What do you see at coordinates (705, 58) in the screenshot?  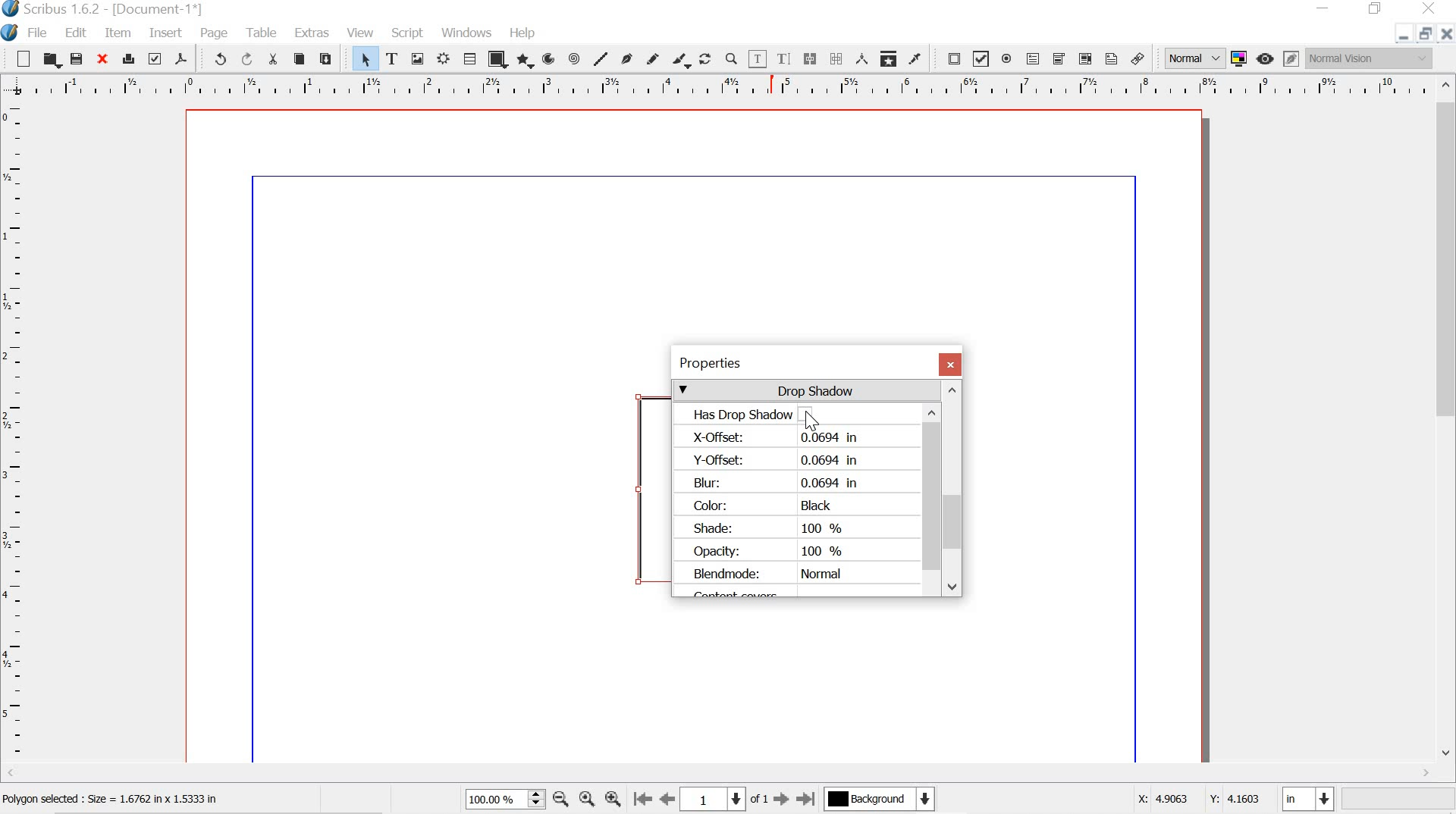 I see `rotate item` at bounding box center [705, 58].